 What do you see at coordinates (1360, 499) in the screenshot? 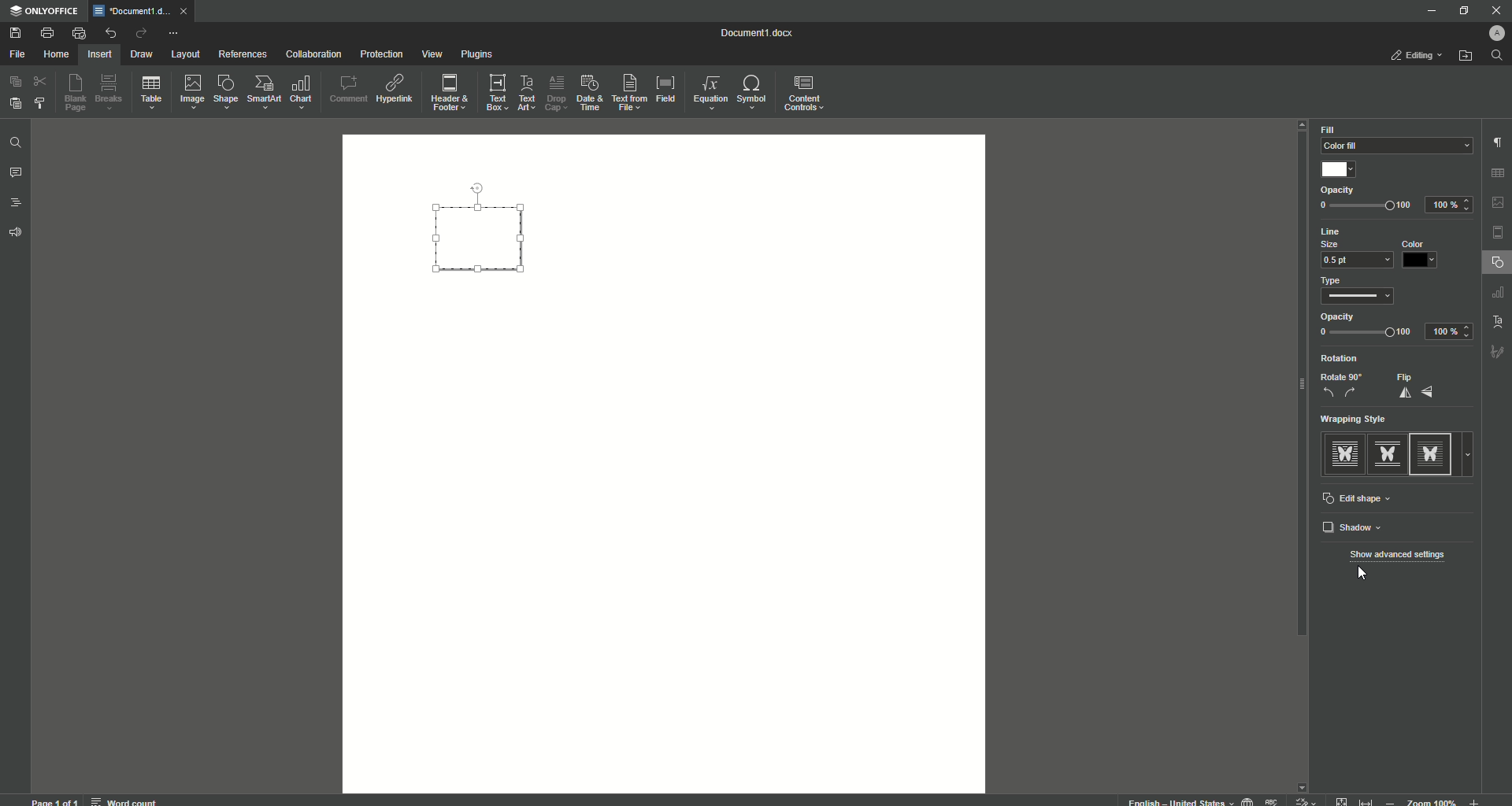
I see `Edit Shape` at bounding box center [1360, 499].